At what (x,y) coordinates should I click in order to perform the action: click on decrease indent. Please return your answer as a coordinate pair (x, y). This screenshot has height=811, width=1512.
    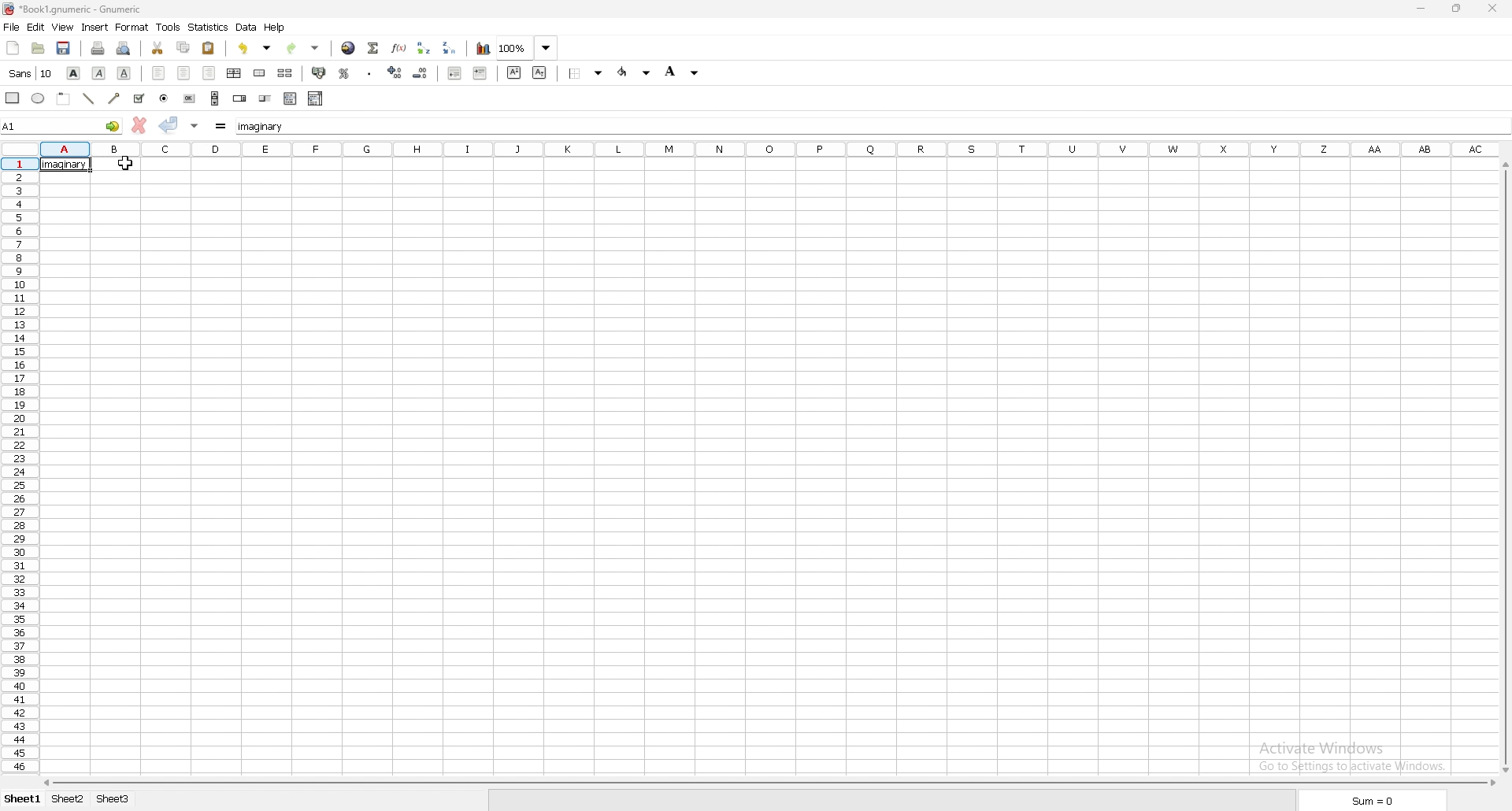
    Looking at the image, I should click on (454, 74).